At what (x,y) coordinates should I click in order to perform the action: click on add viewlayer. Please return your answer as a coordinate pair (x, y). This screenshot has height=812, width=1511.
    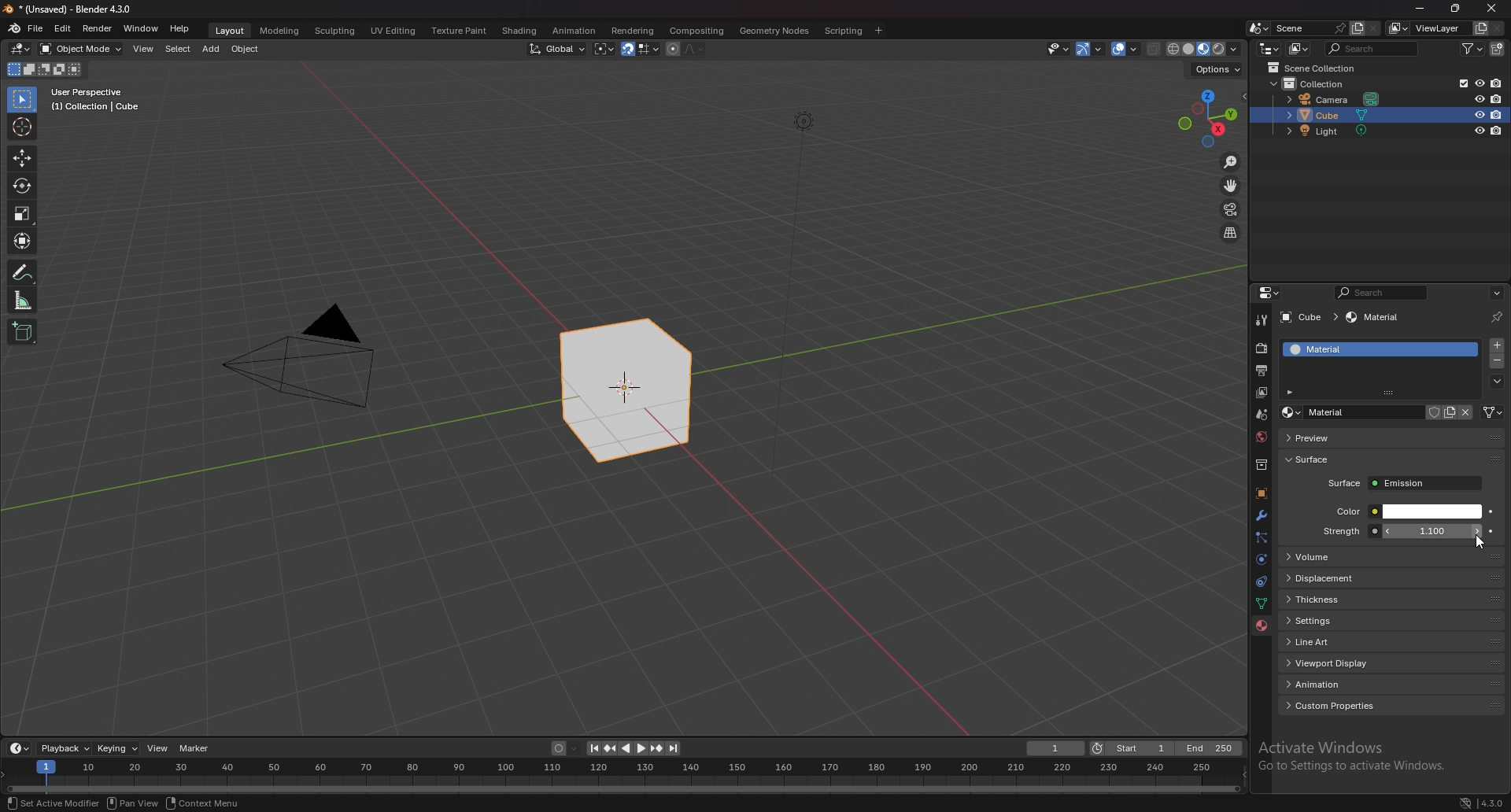
    Looking at the image, I should click on (1481, 28).